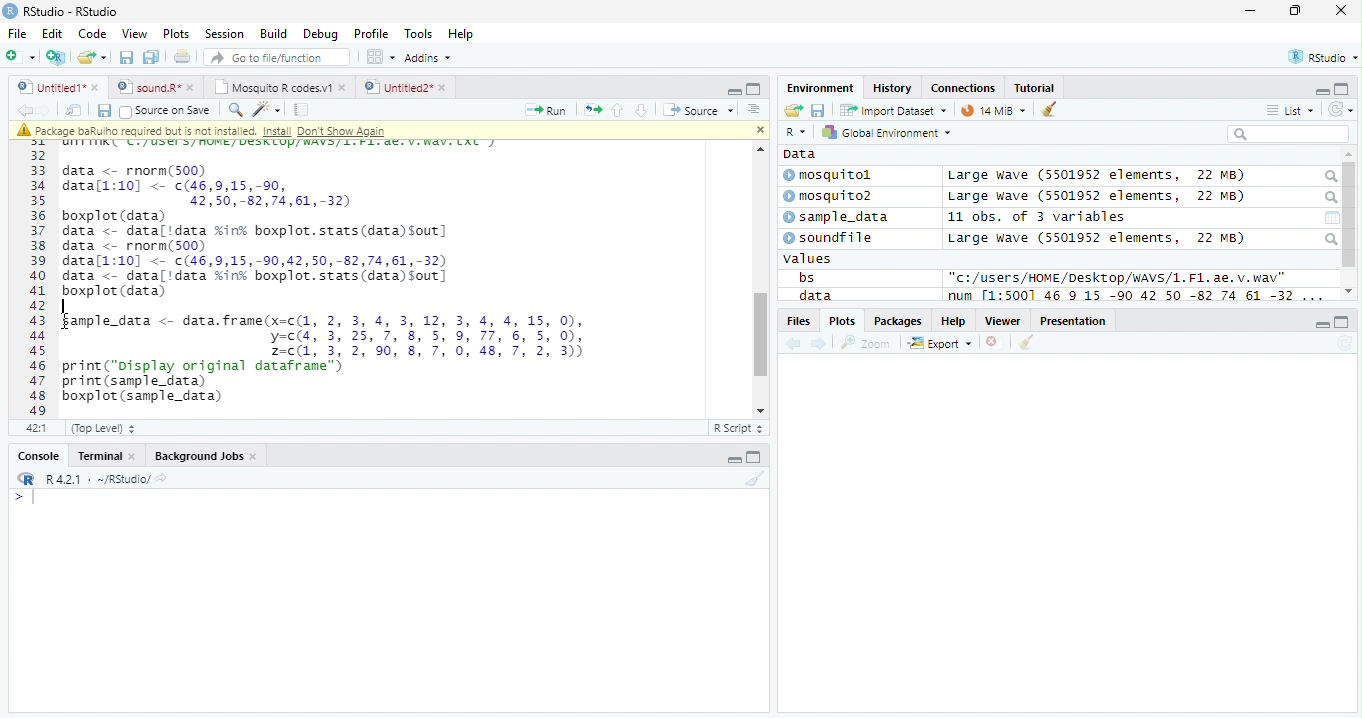 The width and height of the screenshot is (1362, 718). Describe the element at coordinates (267, 110) in the screenshot. I see `code tools` at that location.